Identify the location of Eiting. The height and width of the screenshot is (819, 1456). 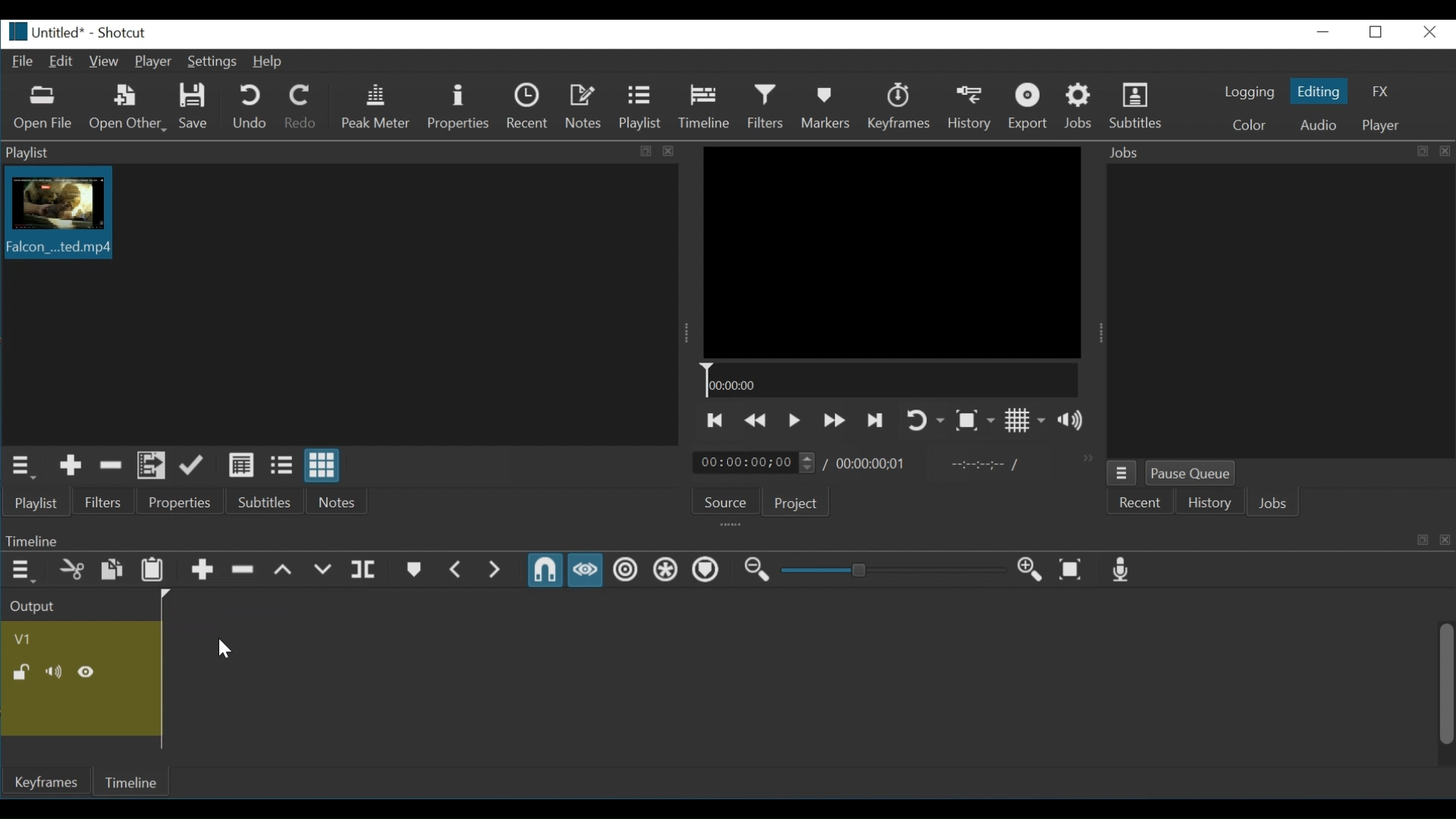
(1317, 90).